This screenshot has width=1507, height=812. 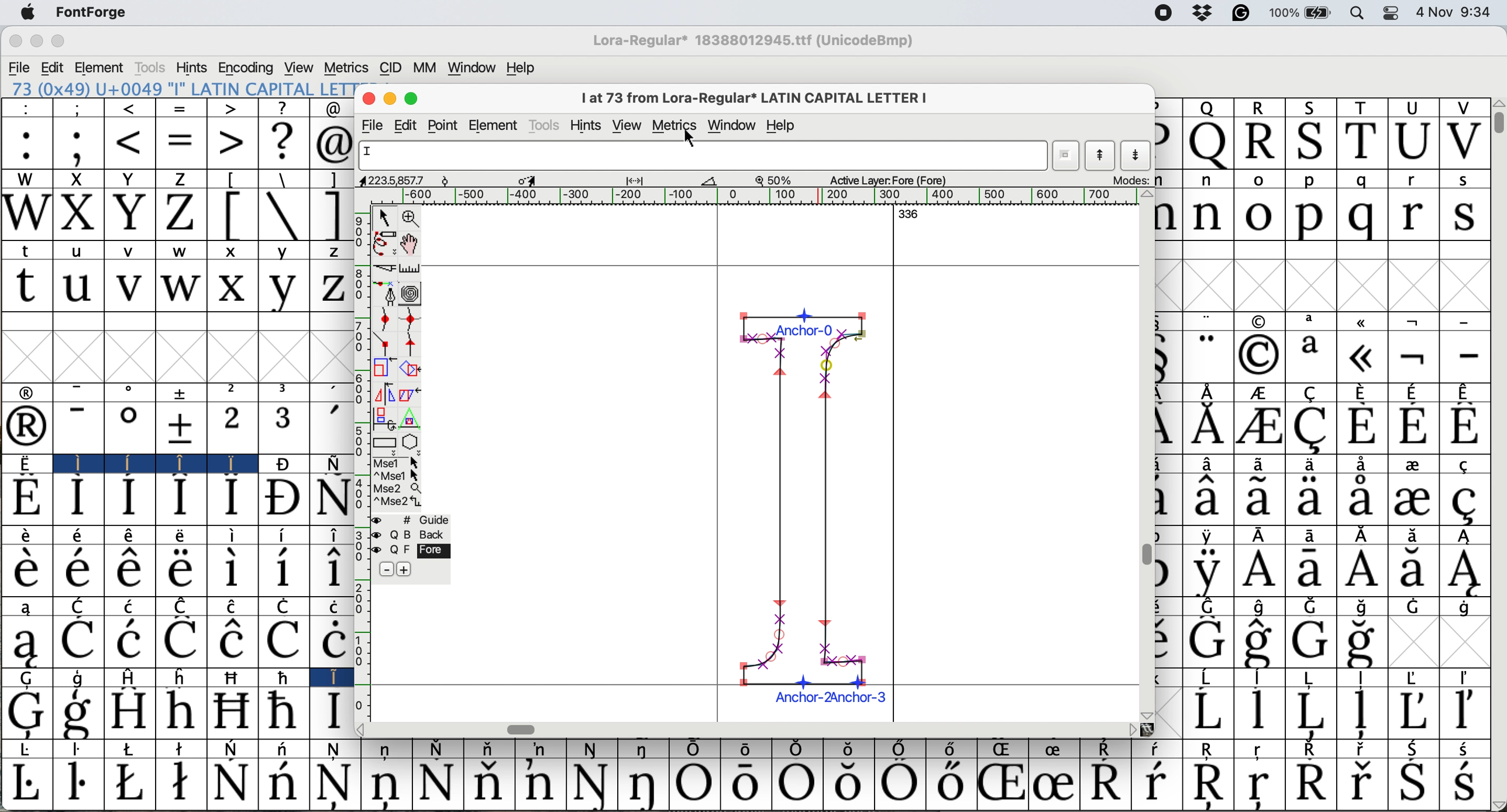 What do you see at coordinates (132, 462) in the screenshot?
I see `Symbol` at bounding box center [132, 462].